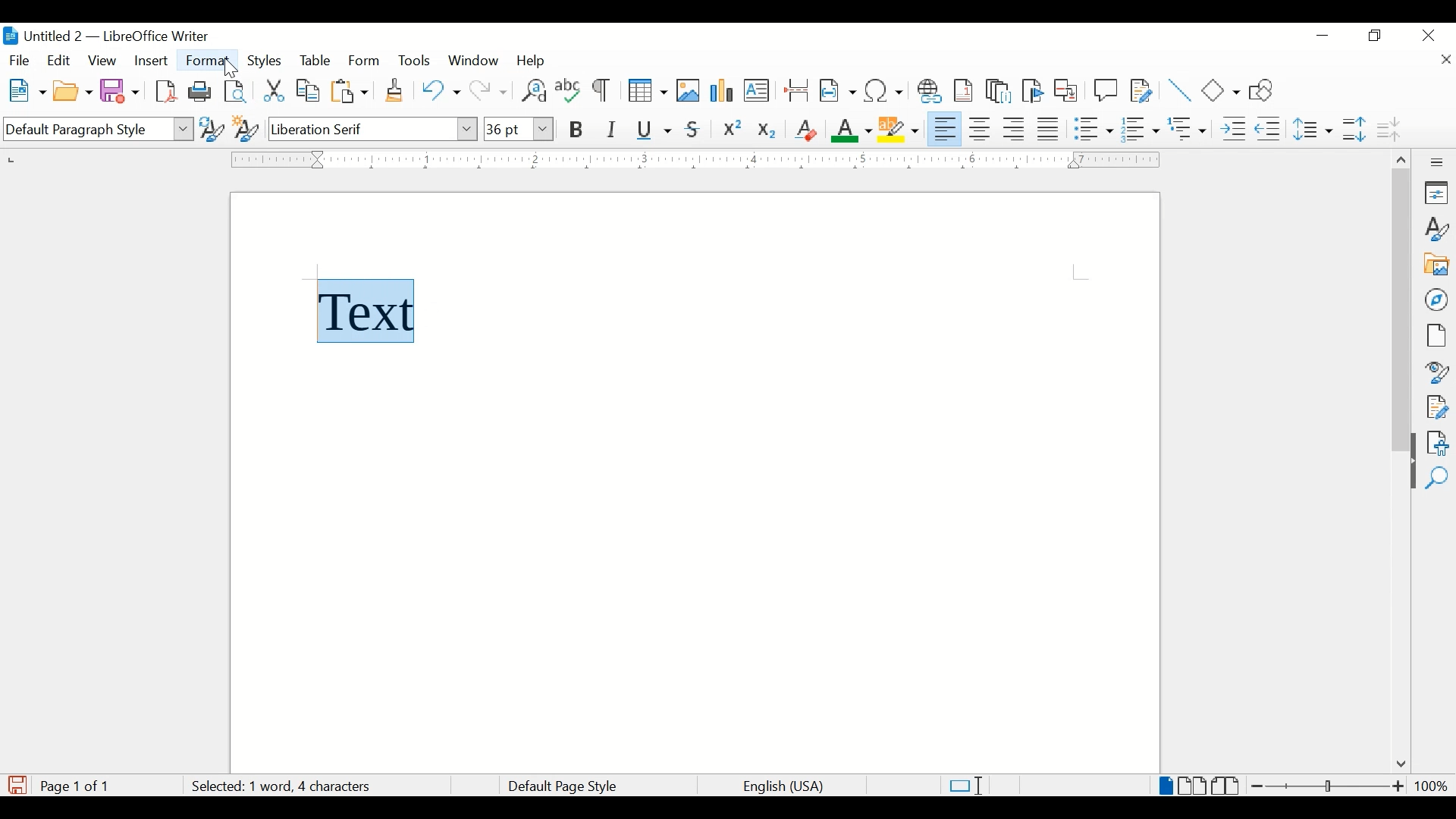  Describe the element at coordinates (20, 61) in the screenshot. I see `fiel` at that location.